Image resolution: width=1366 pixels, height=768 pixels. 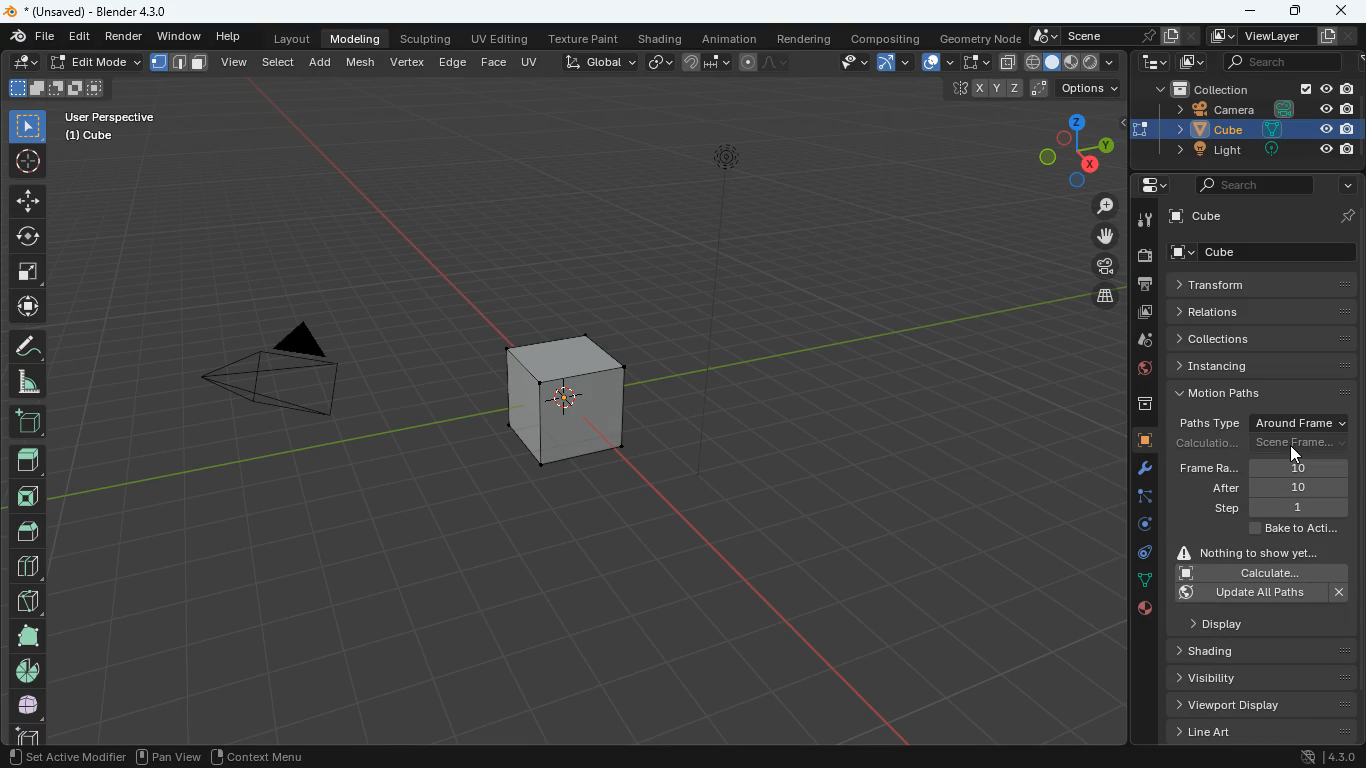 What do you see at coordinates (1285, 36) in the screenshot?
I see `view layer` at bounding box center [1285, 36].